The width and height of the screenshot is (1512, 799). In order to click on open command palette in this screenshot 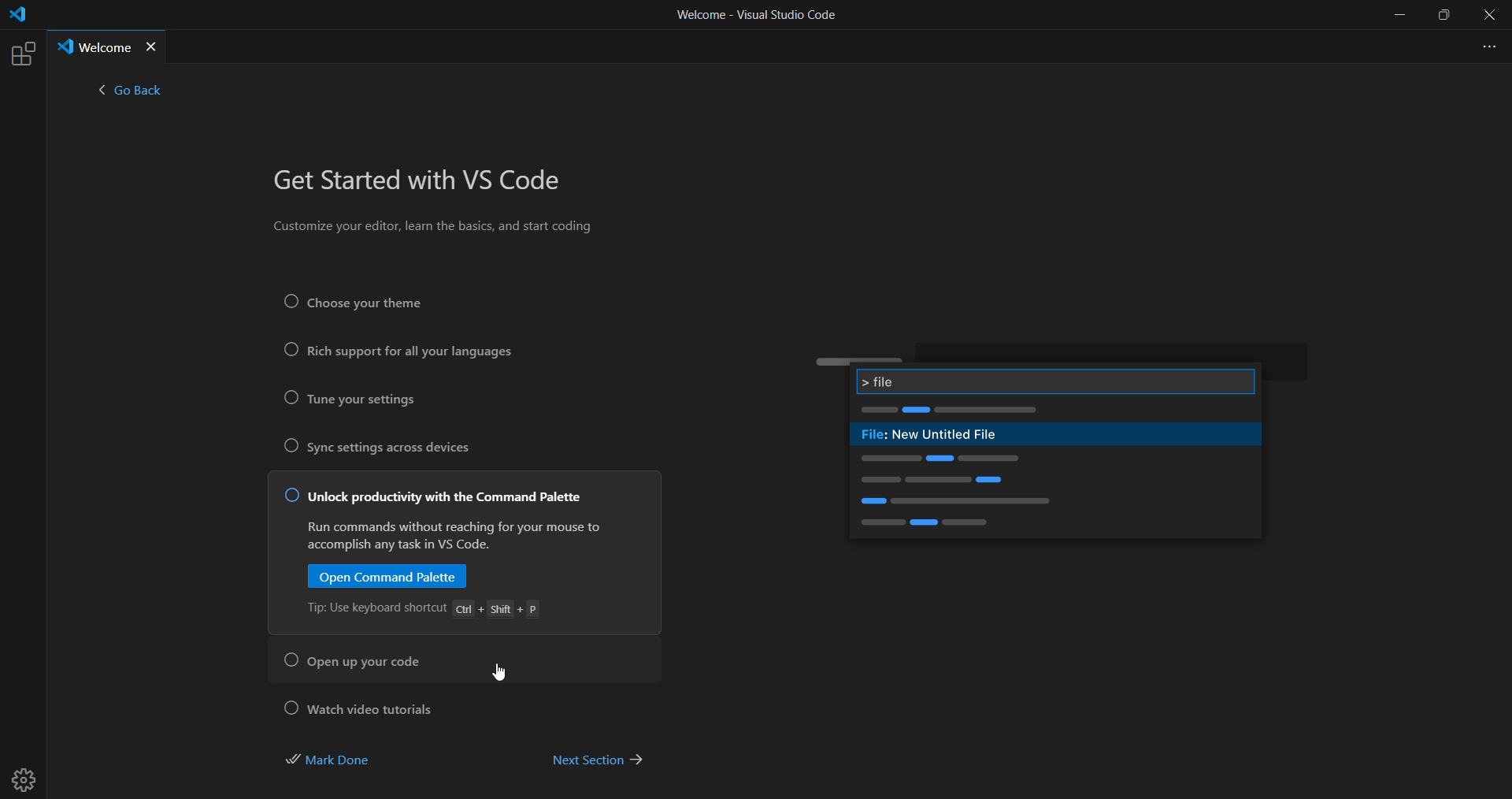, I will do `click(388, 578)`.